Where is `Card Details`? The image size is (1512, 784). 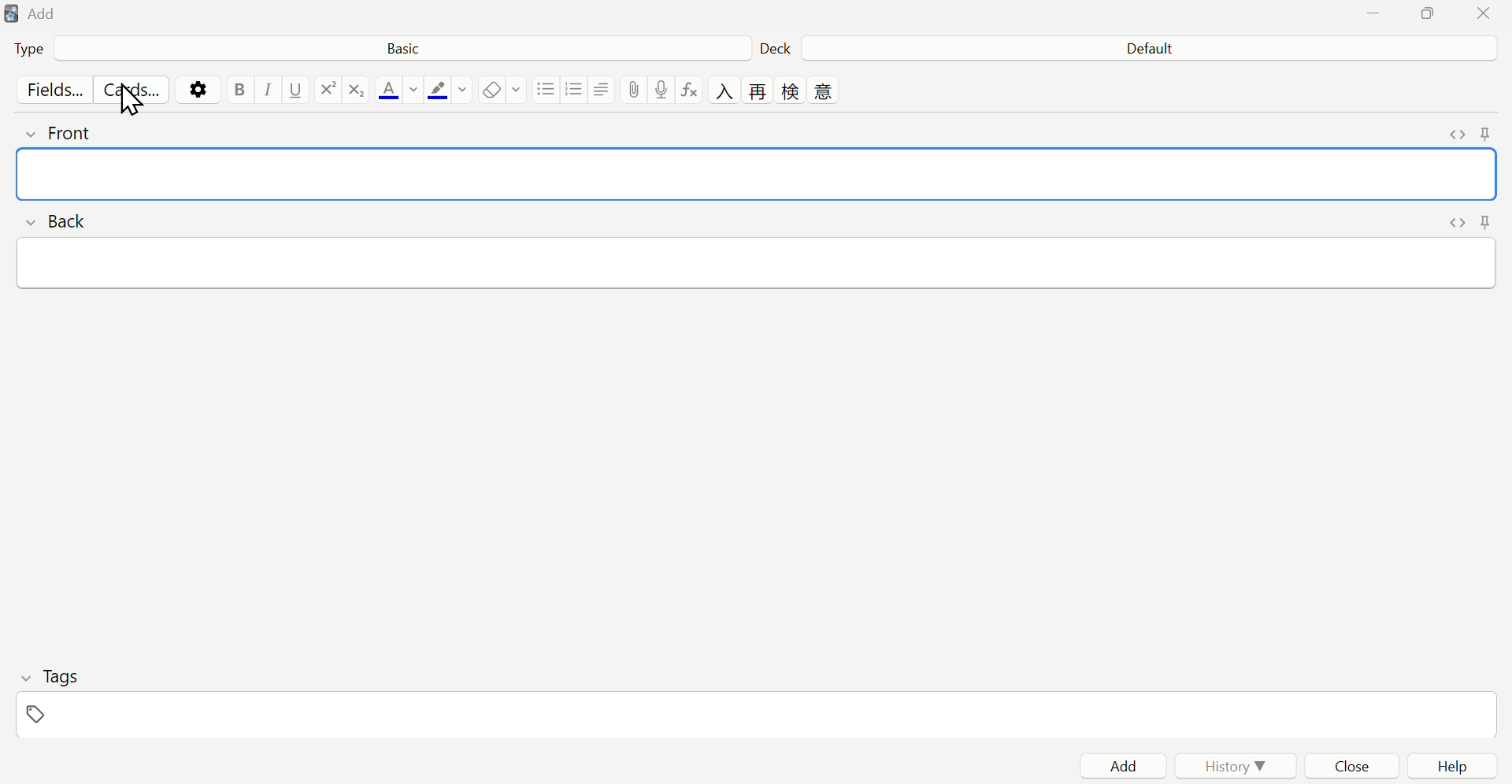
Card Details is located at coordinates (759, 200).